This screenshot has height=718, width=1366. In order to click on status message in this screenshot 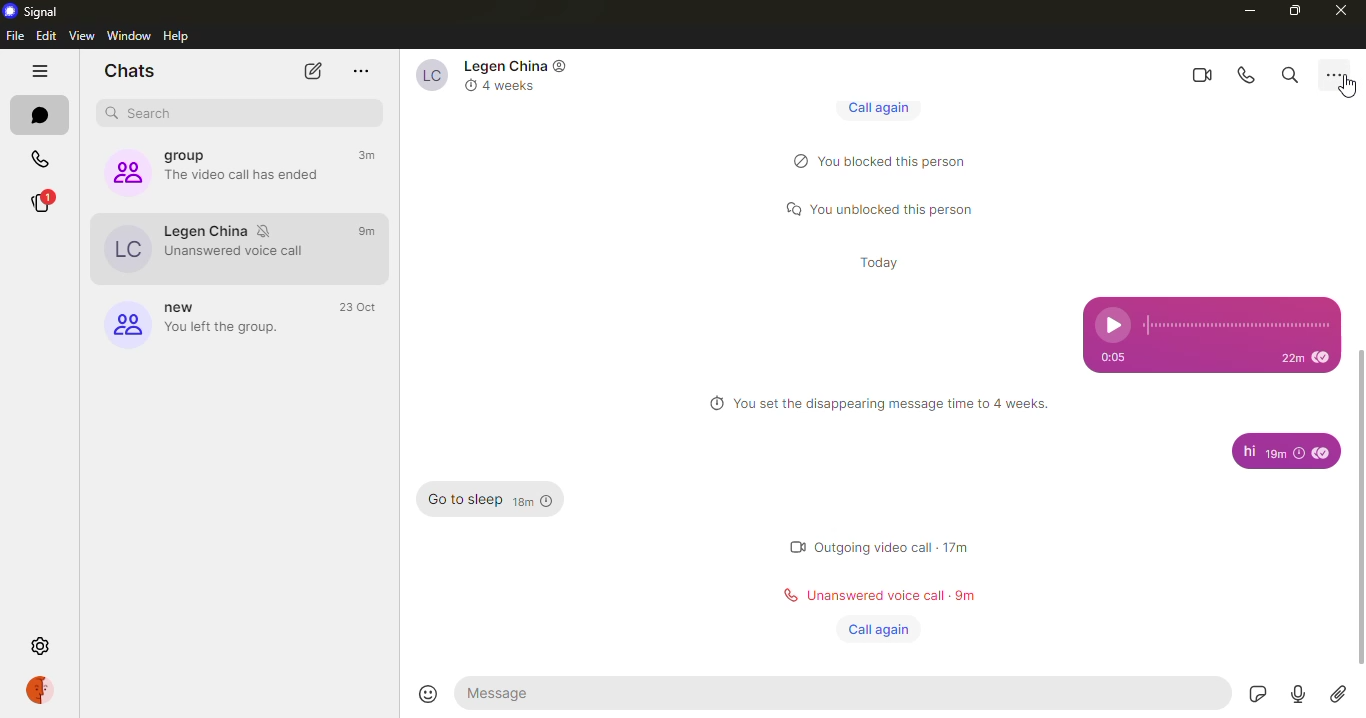, I will do `click(854, 596)`.